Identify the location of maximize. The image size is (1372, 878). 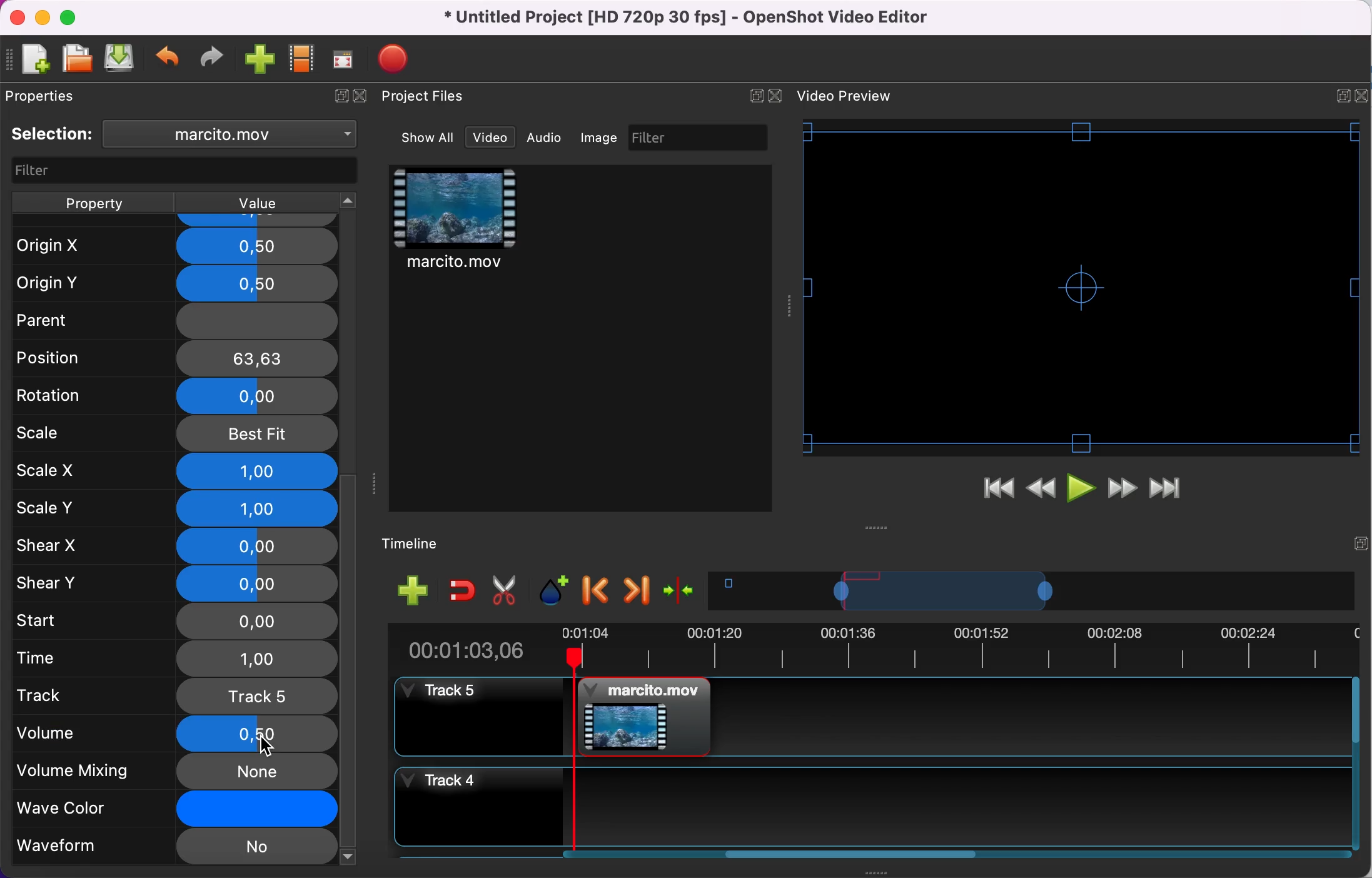
(72, 17).